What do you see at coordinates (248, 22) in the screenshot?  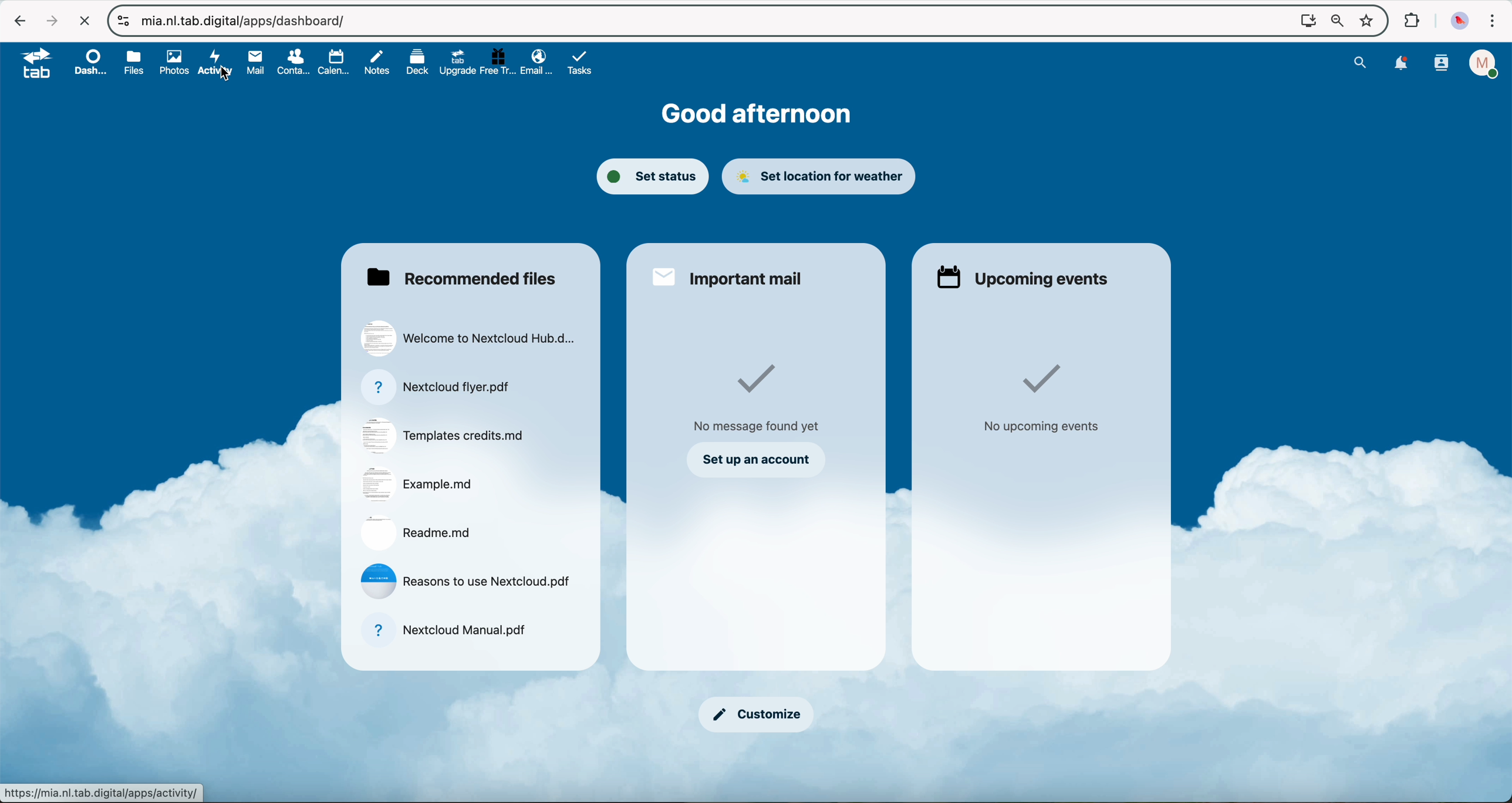 I see `url` at bounding box center [248, 22].